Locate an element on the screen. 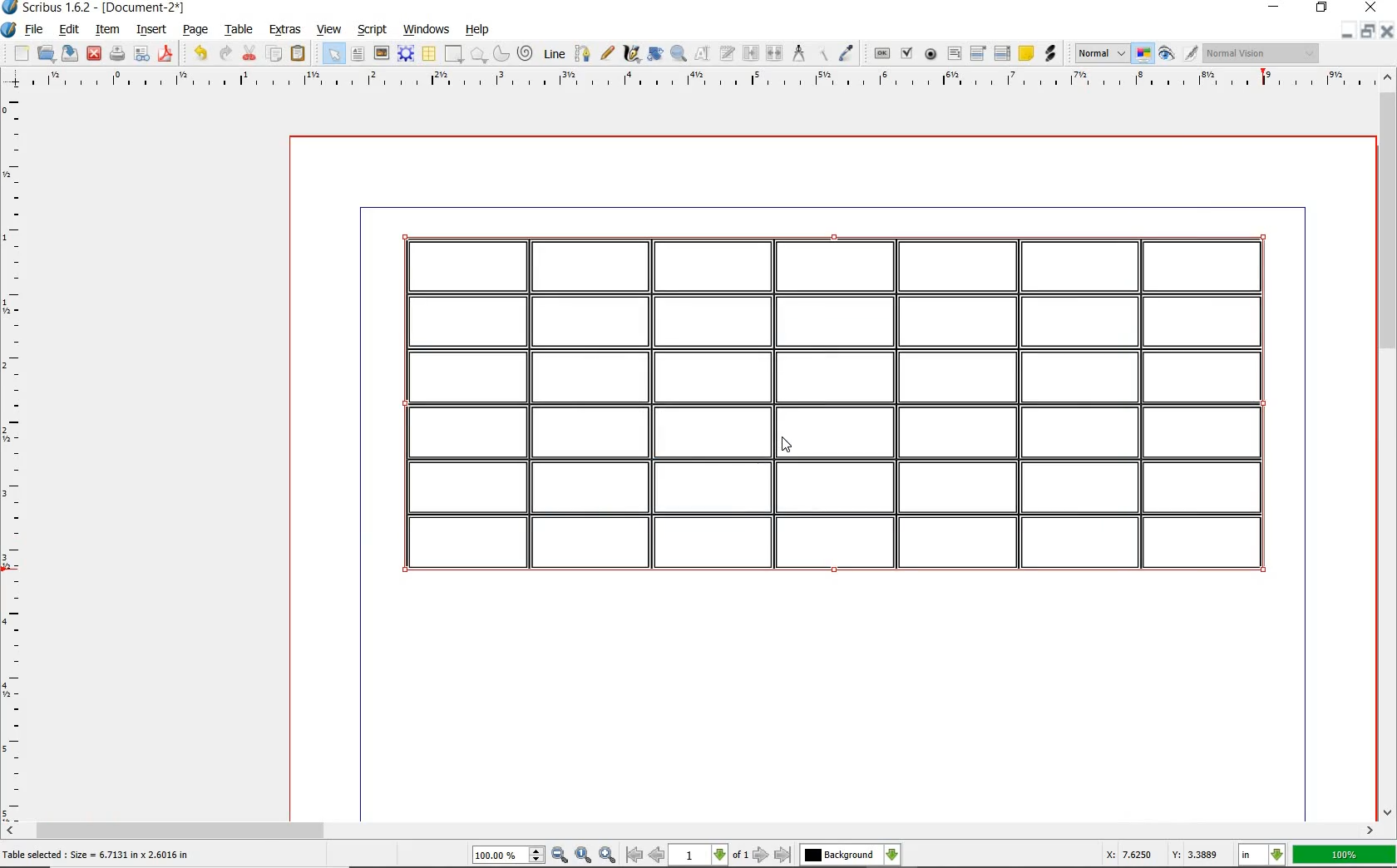 This screenshot has width=1397, height=868. pdf radio button is located at coordinates (931, 55).